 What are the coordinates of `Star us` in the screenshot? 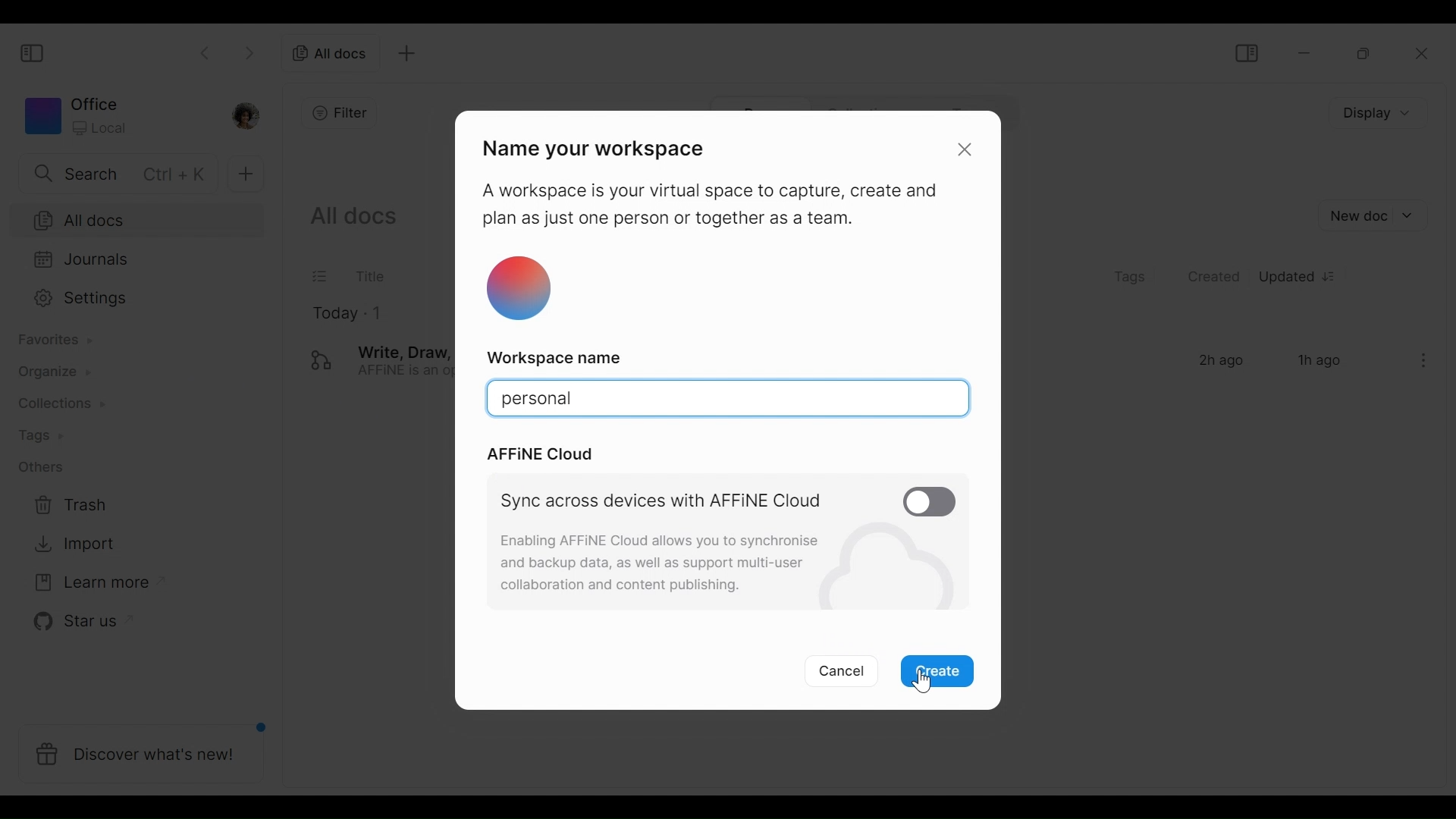 It's located at (75, 621).